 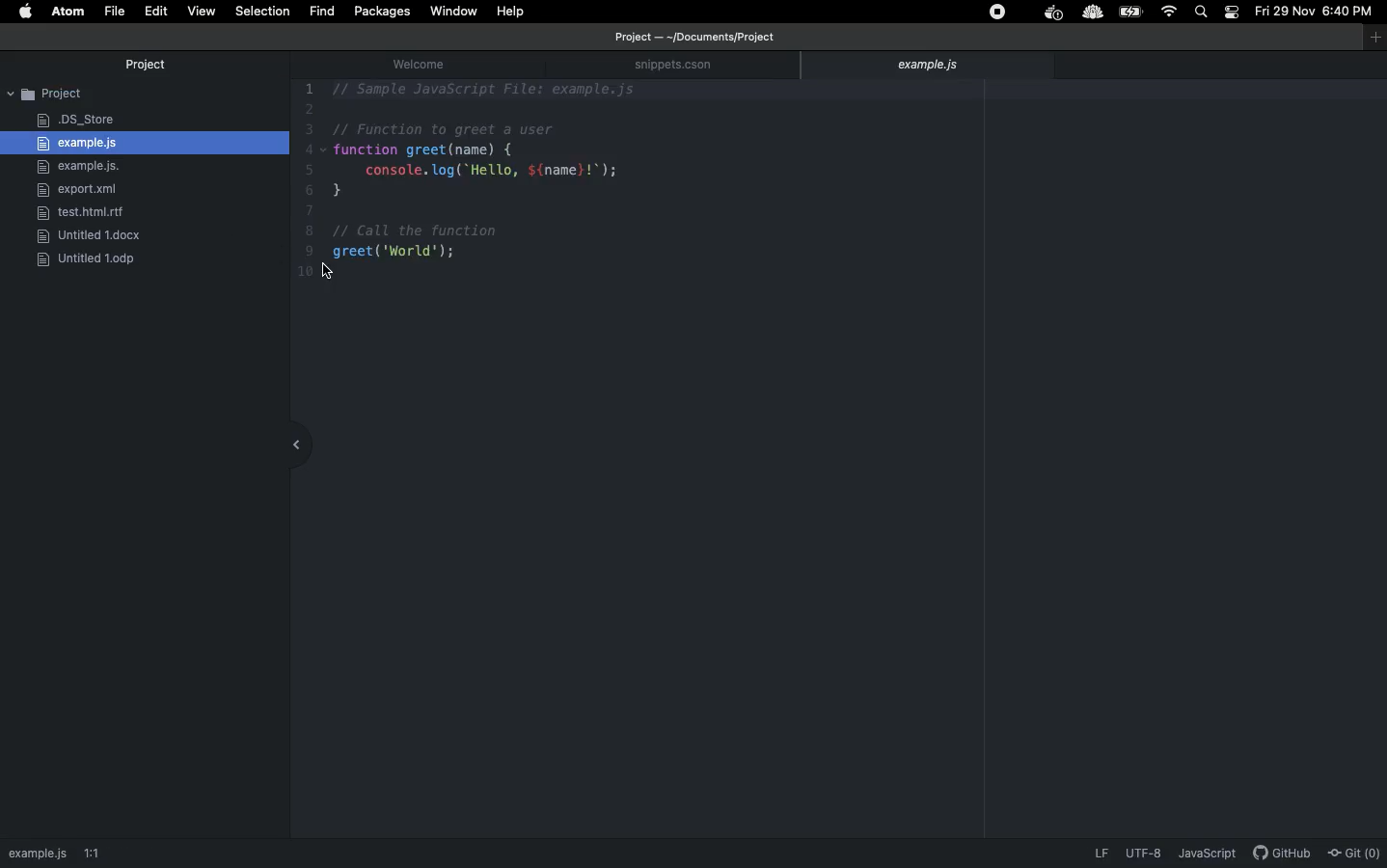 What do you see at coordinates (1210, 855) in the screenshot?
I see `JavaScript` at bounding box center [1210, 855].